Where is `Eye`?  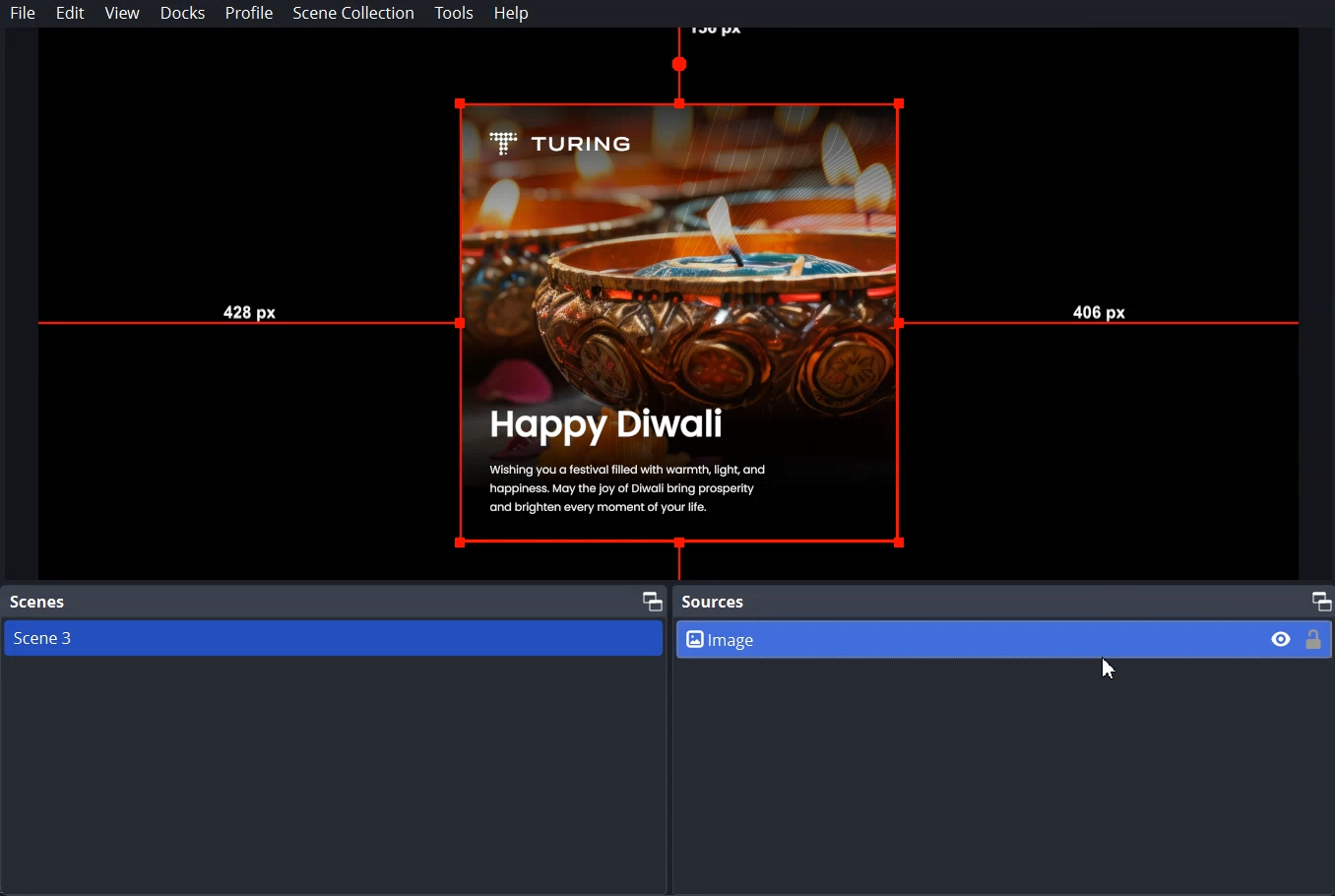 Eye is located at coordinates (1282, 638).